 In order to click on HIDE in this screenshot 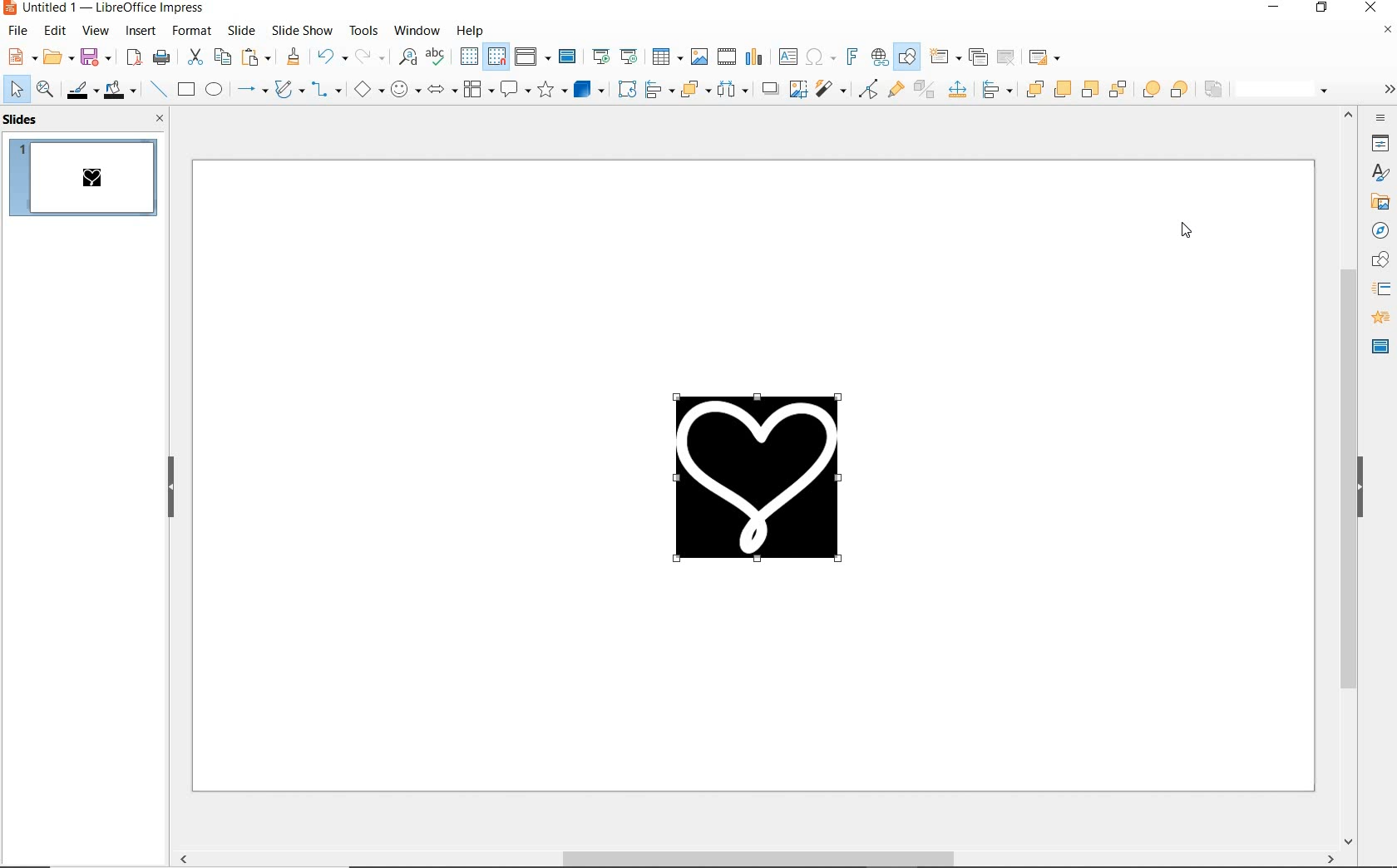, I will do `click(1361, 489)`.